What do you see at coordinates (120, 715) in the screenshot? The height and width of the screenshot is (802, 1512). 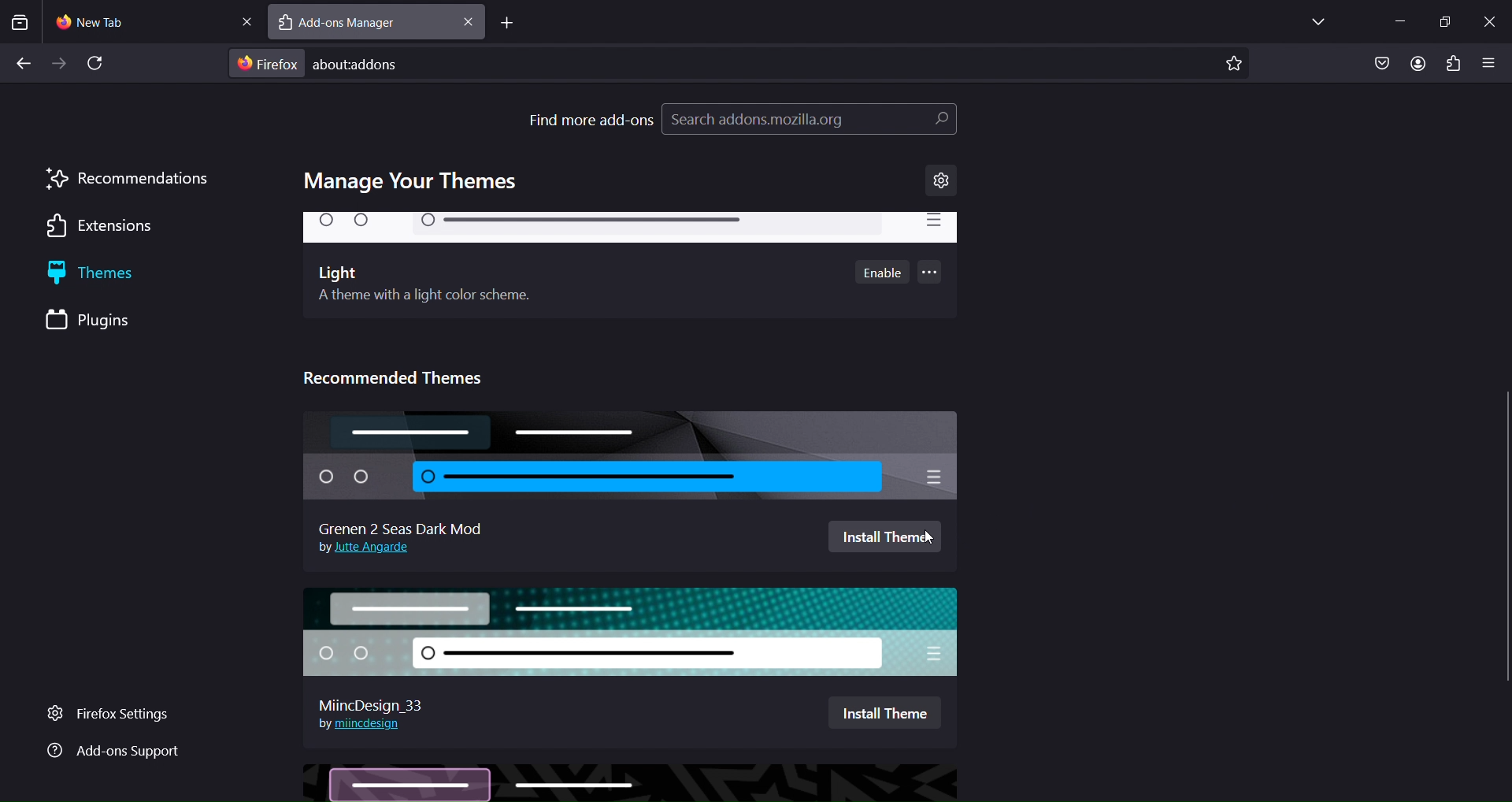 I see `firefox settings` at bounding box center [120, 715].